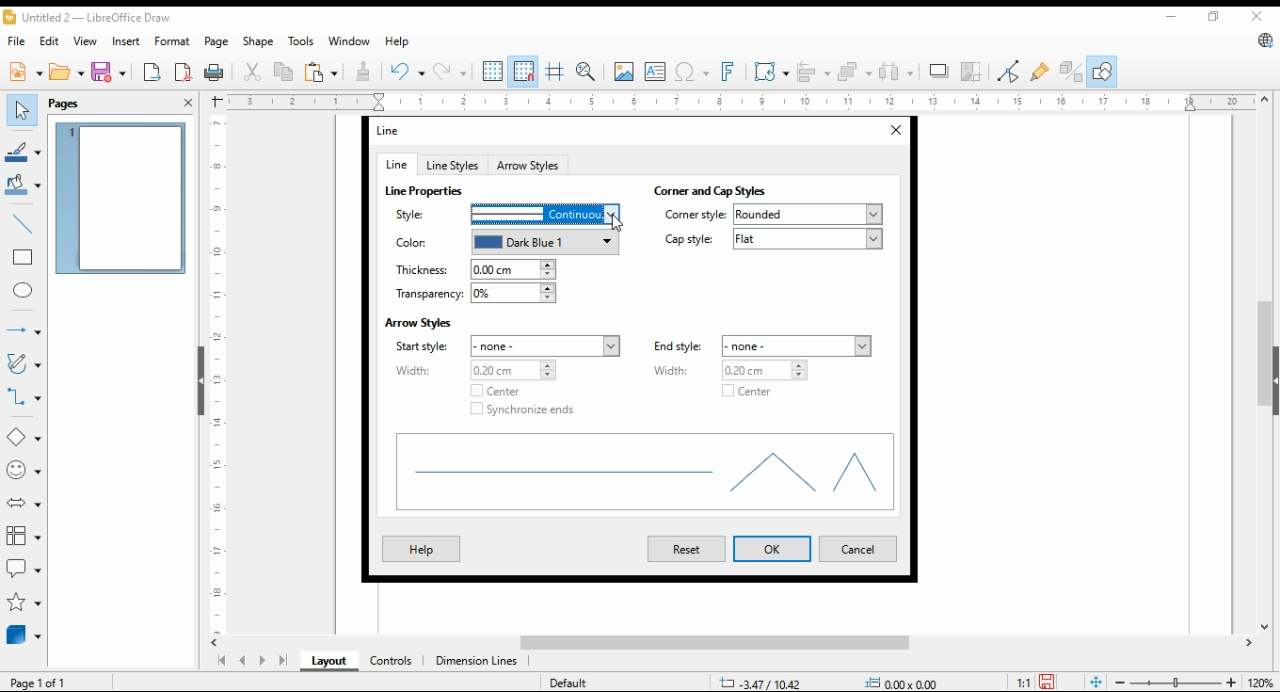 This screenshot has width=1280, height=692. I want to click on symbol shapes, so click(25, 469).